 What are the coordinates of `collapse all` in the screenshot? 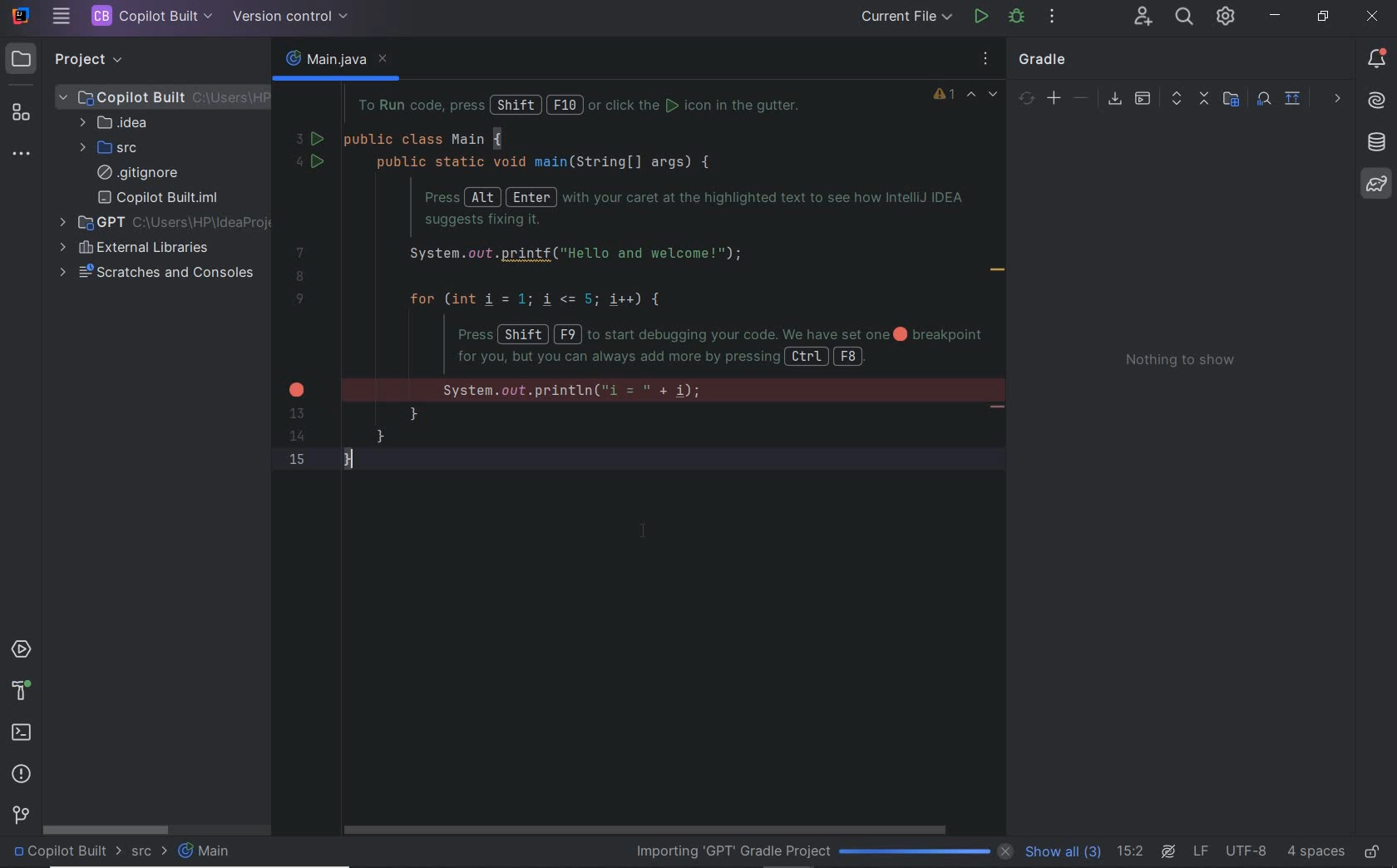 It's located at (1206, 100).